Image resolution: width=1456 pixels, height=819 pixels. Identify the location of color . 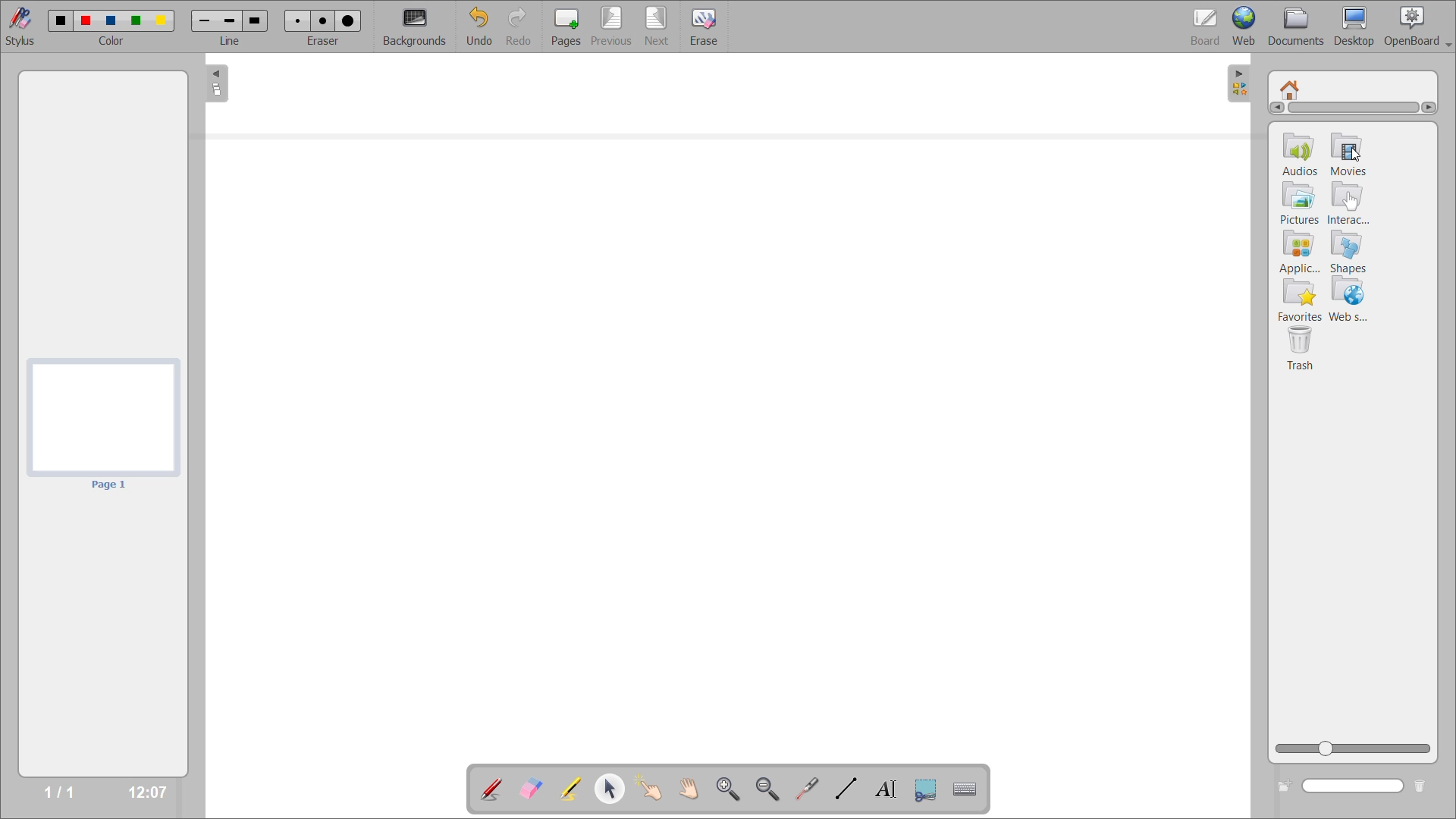
(117, 42).